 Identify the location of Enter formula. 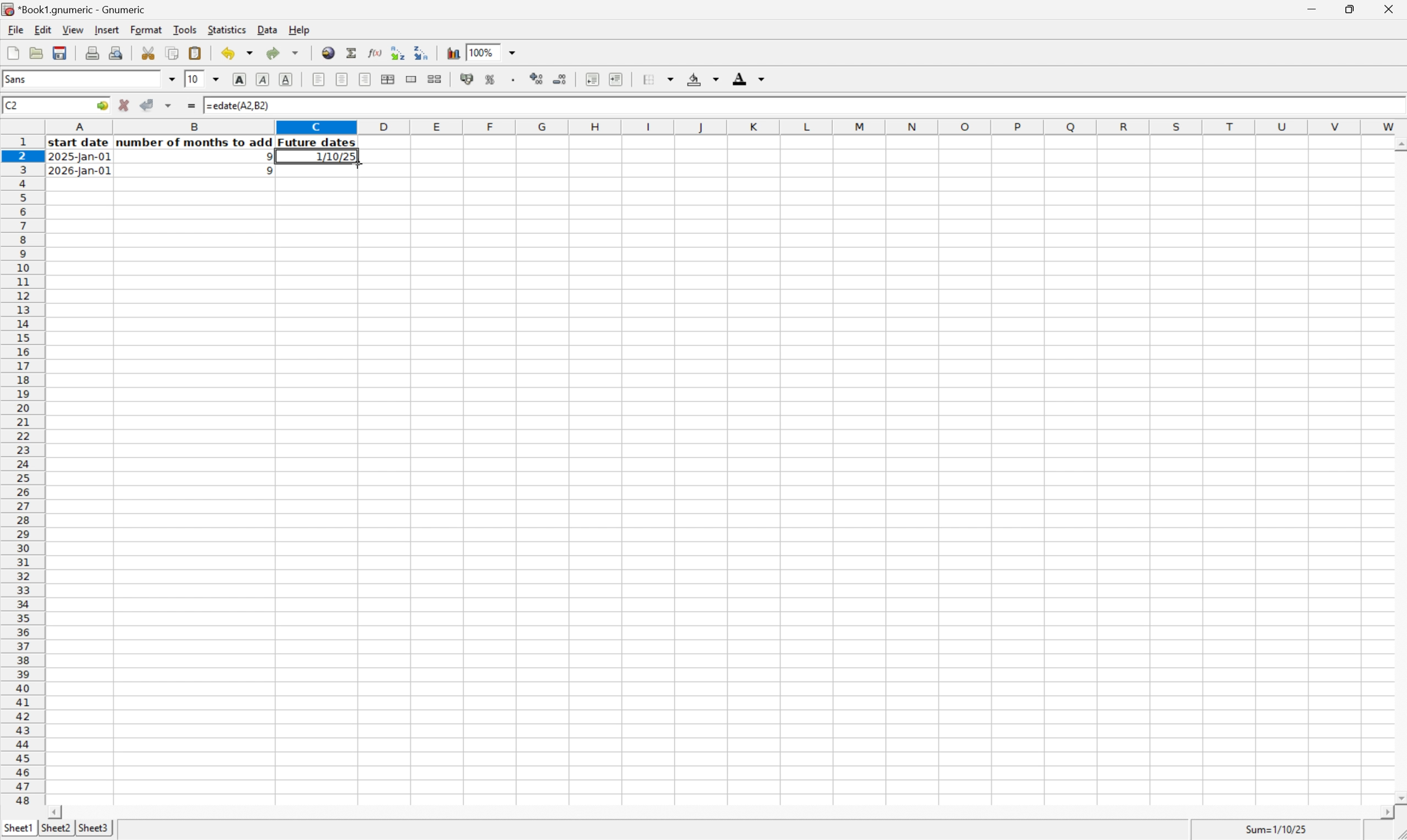
(193, 103).